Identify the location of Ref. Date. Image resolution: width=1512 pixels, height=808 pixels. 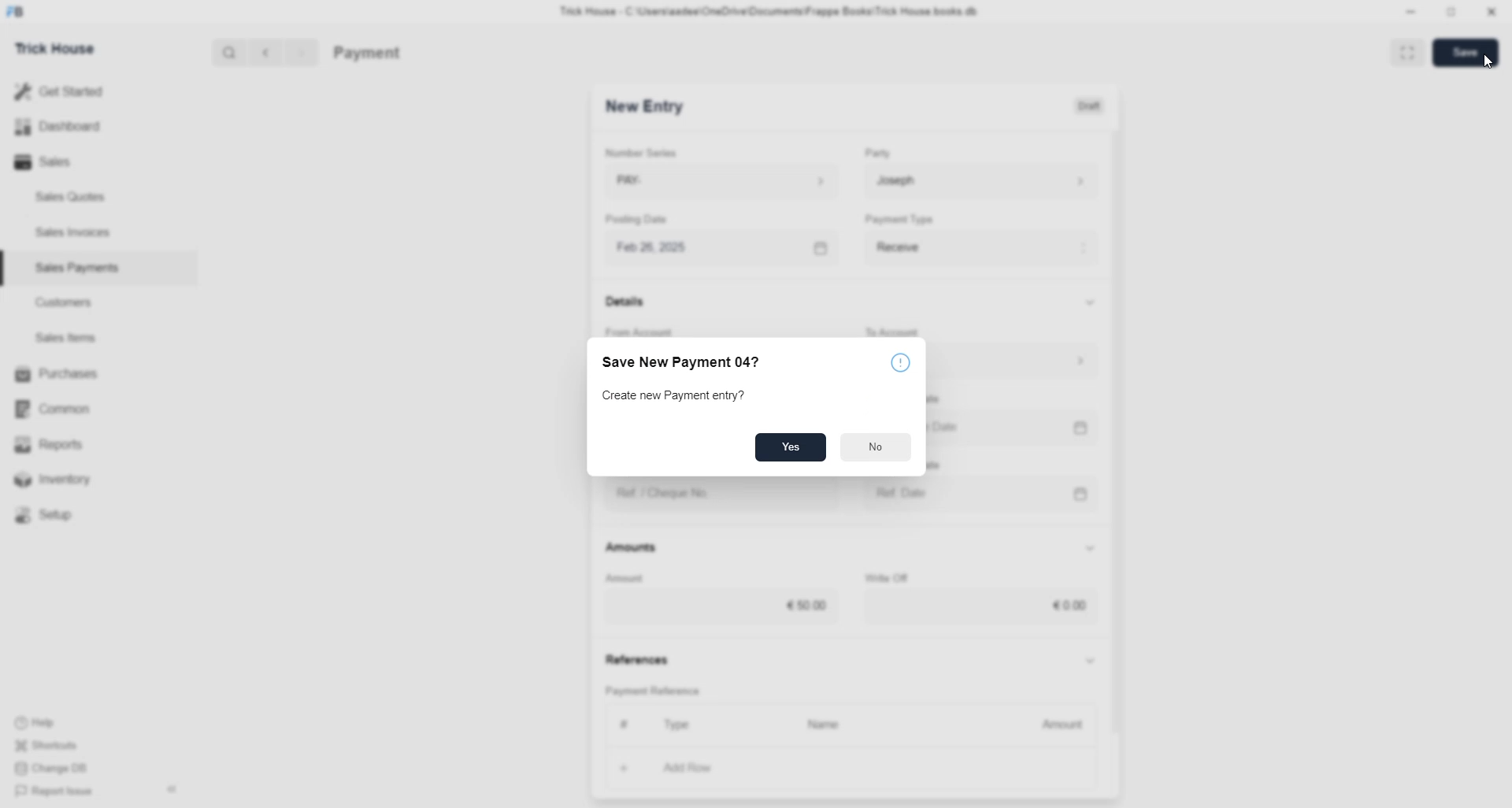
(983, 494).